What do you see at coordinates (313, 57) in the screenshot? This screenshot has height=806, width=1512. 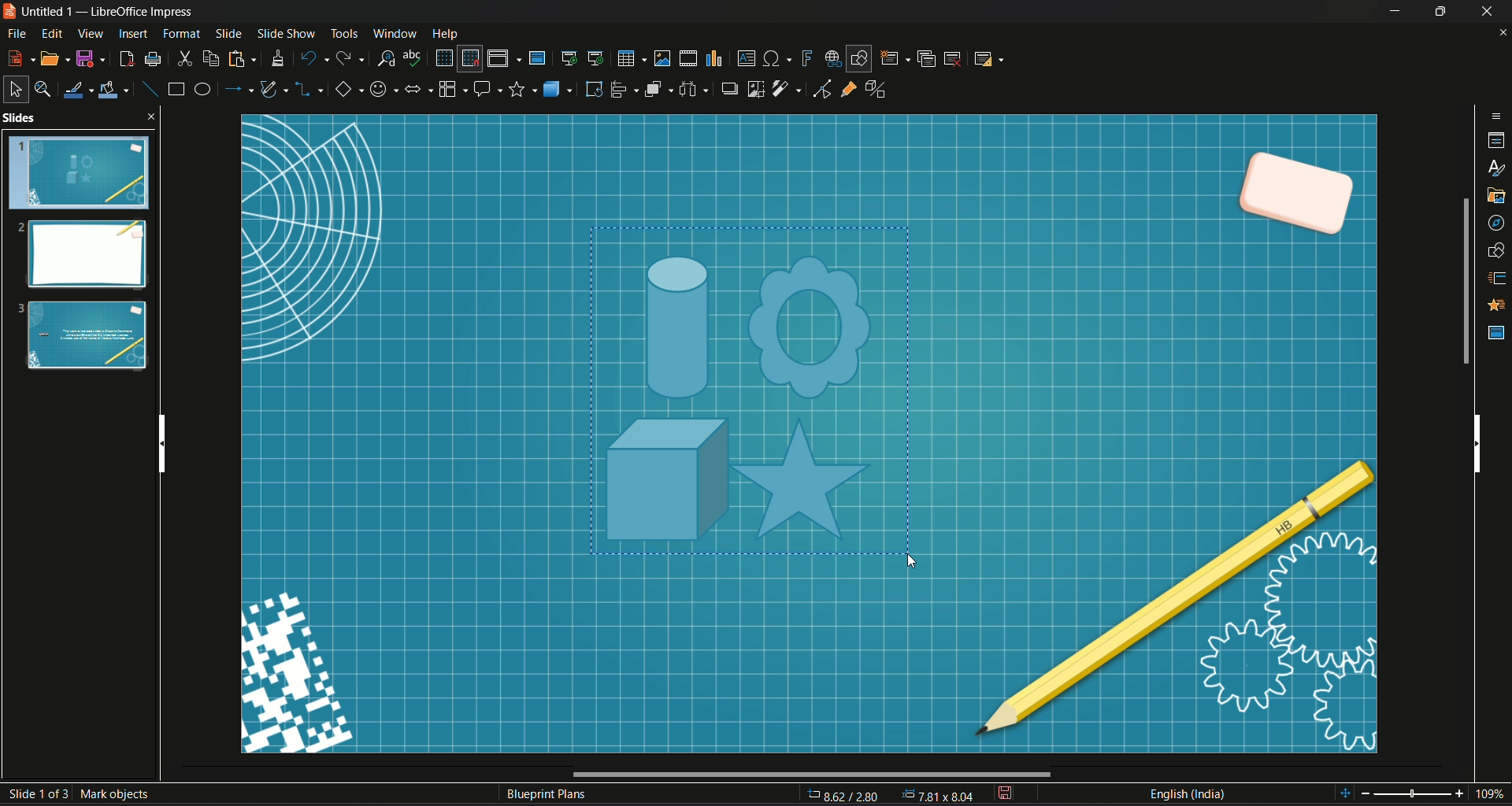 I see `undo` at bounding box center [313, 57].